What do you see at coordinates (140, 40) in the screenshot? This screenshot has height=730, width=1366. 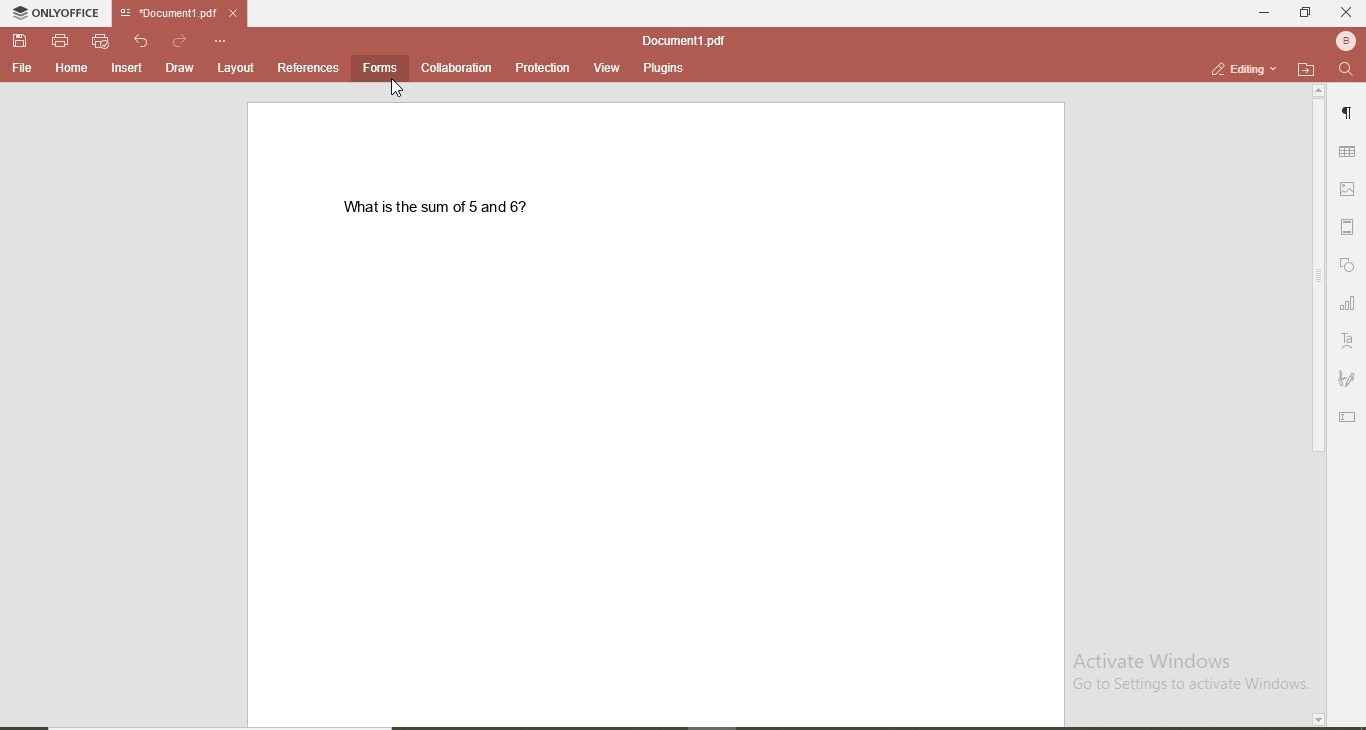 I see `undo` at bounding box center [140, 40].